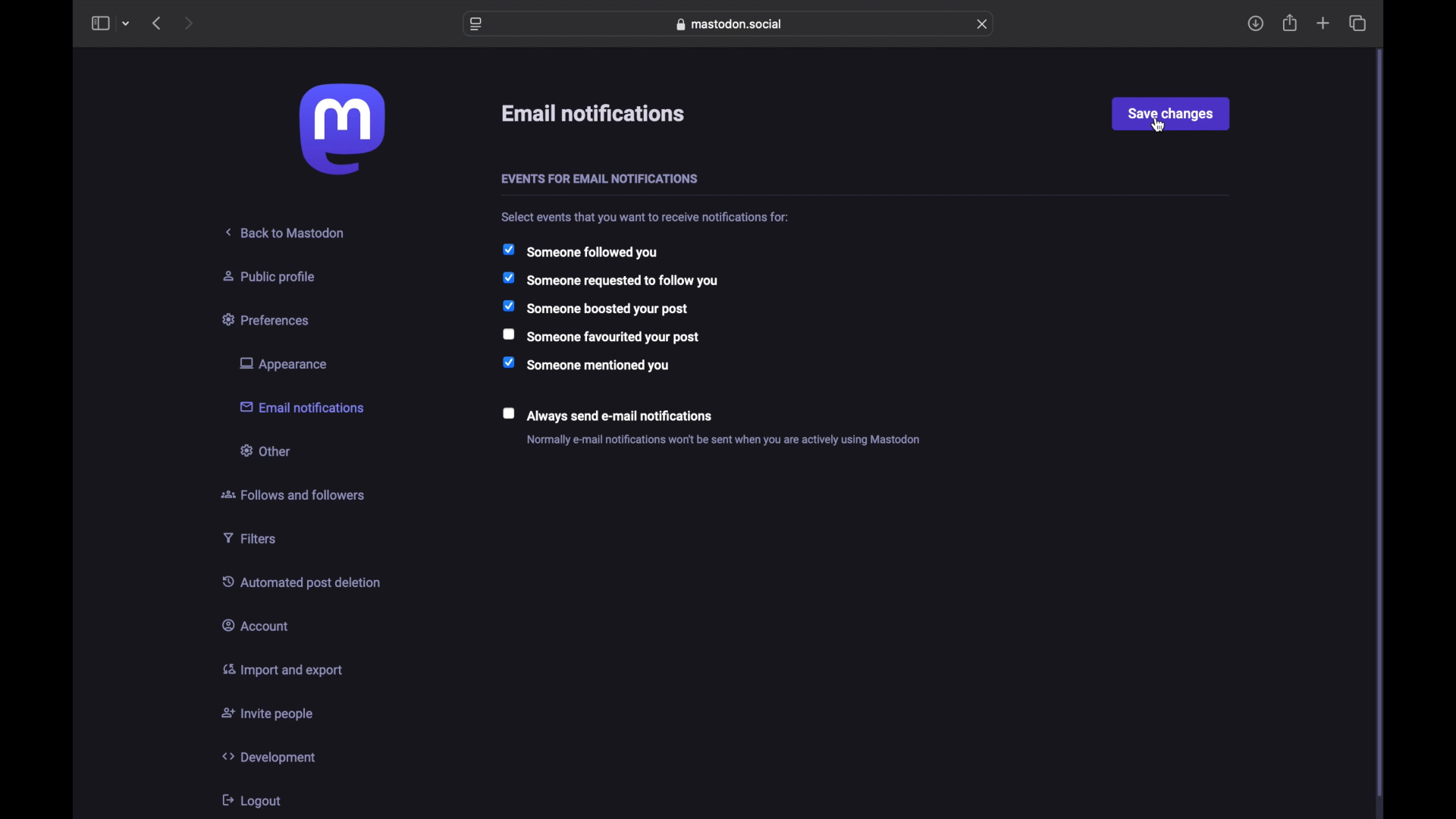  I want to click on other, so click(264, 450).